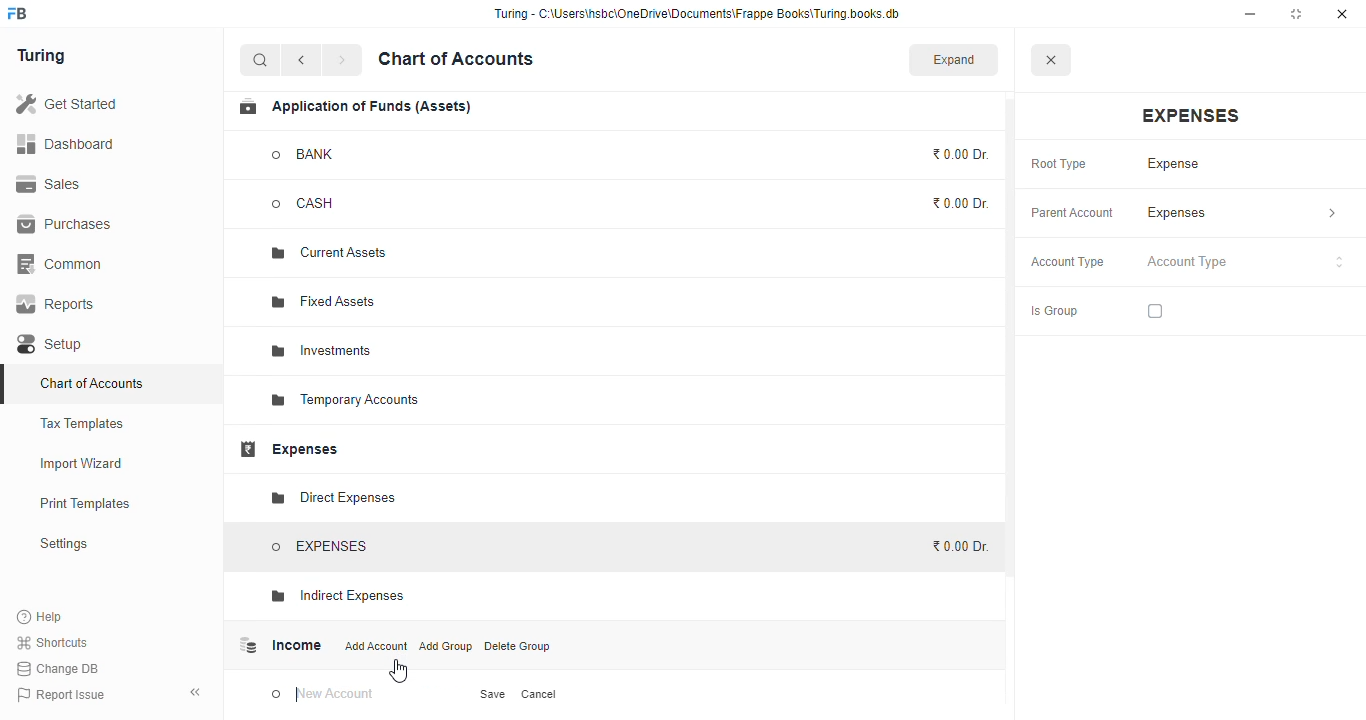  What do you see at coordinates (1155, 311) in the screenshot?
I see `checkbox` at bounding box center [1155, 311].